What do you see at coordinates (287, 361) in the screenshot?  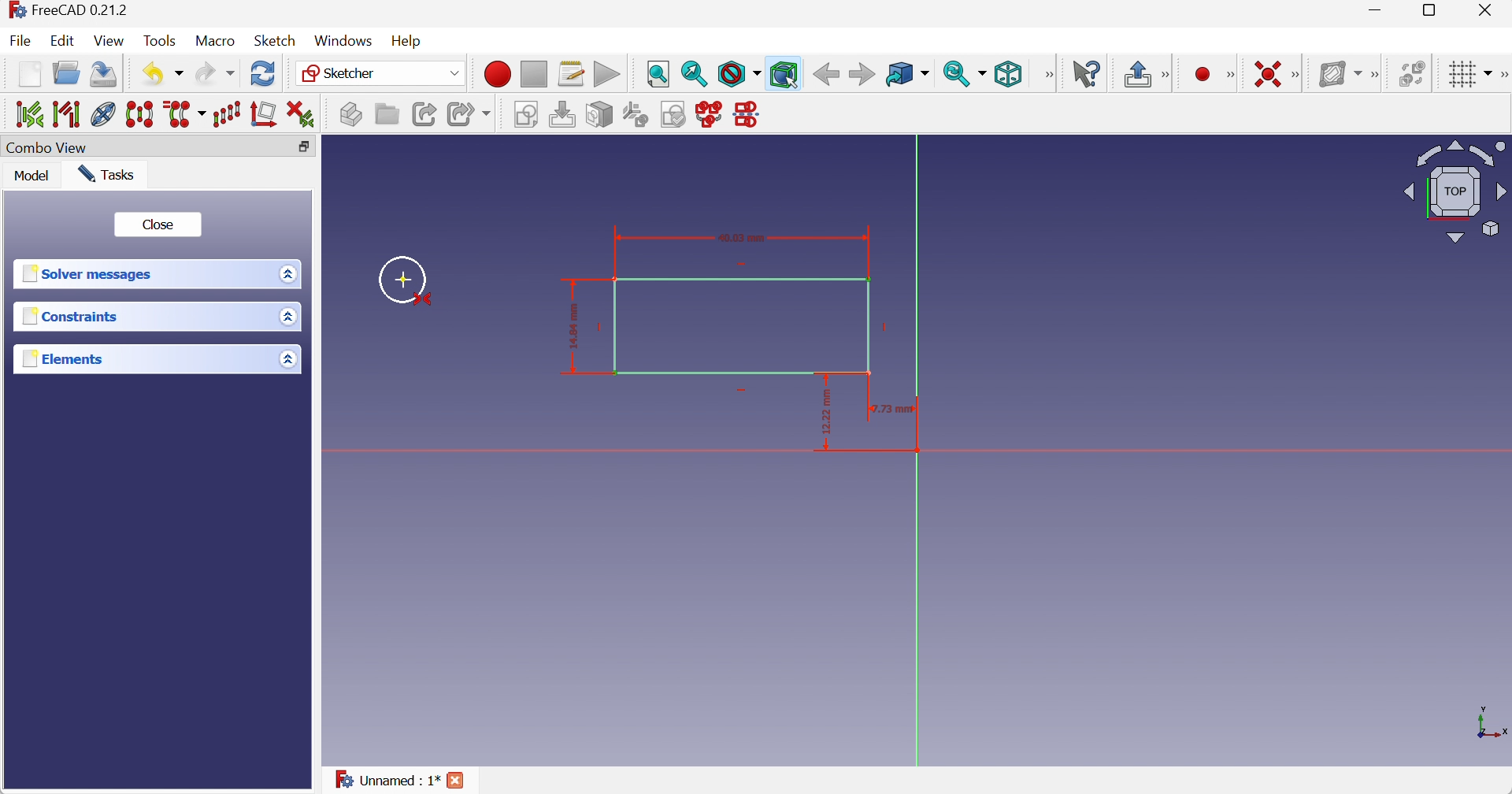 I see `Drop down` at bounding box center [287, 361].